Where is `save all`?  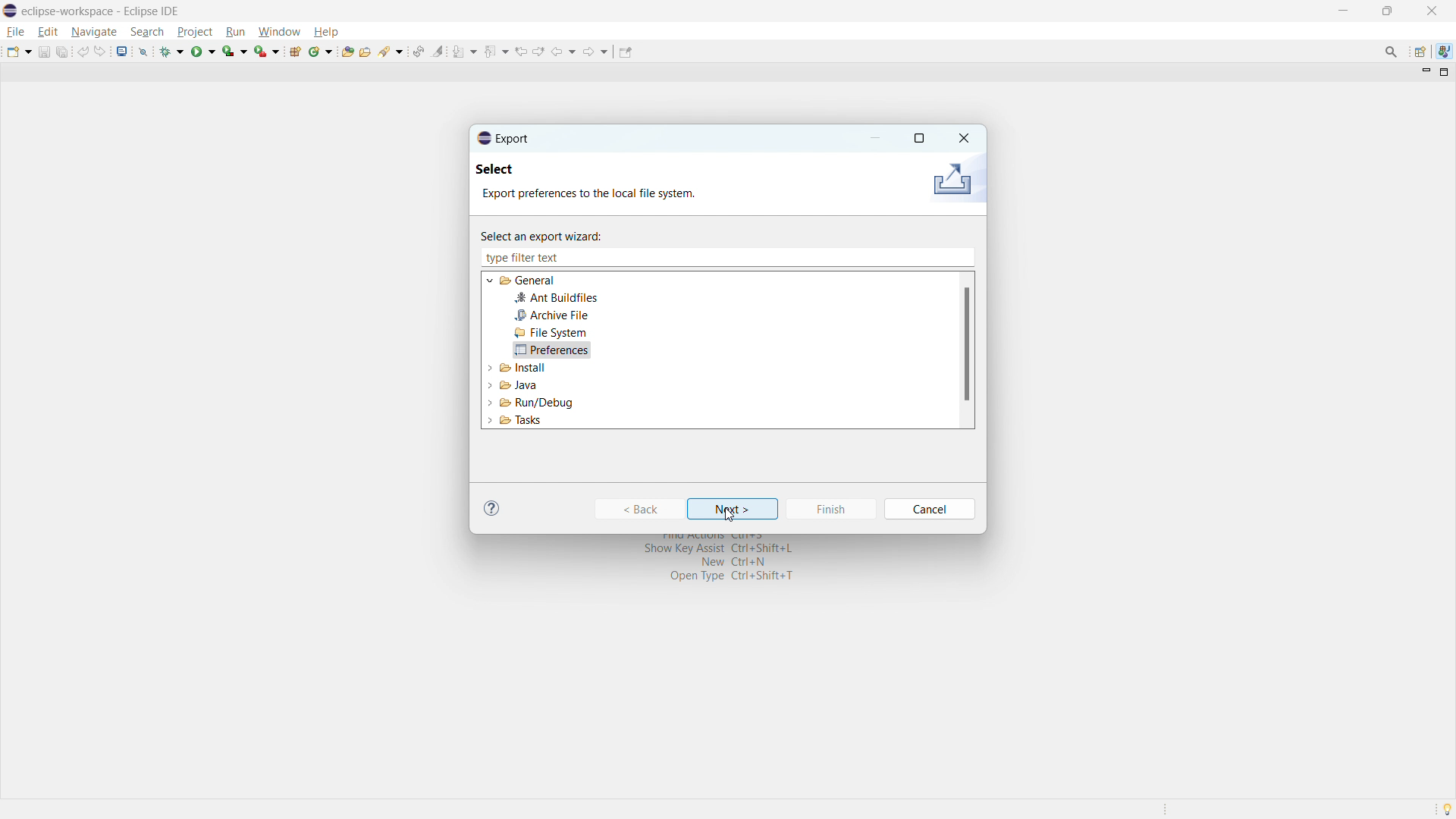
save all is located at coordinates (62, 52).